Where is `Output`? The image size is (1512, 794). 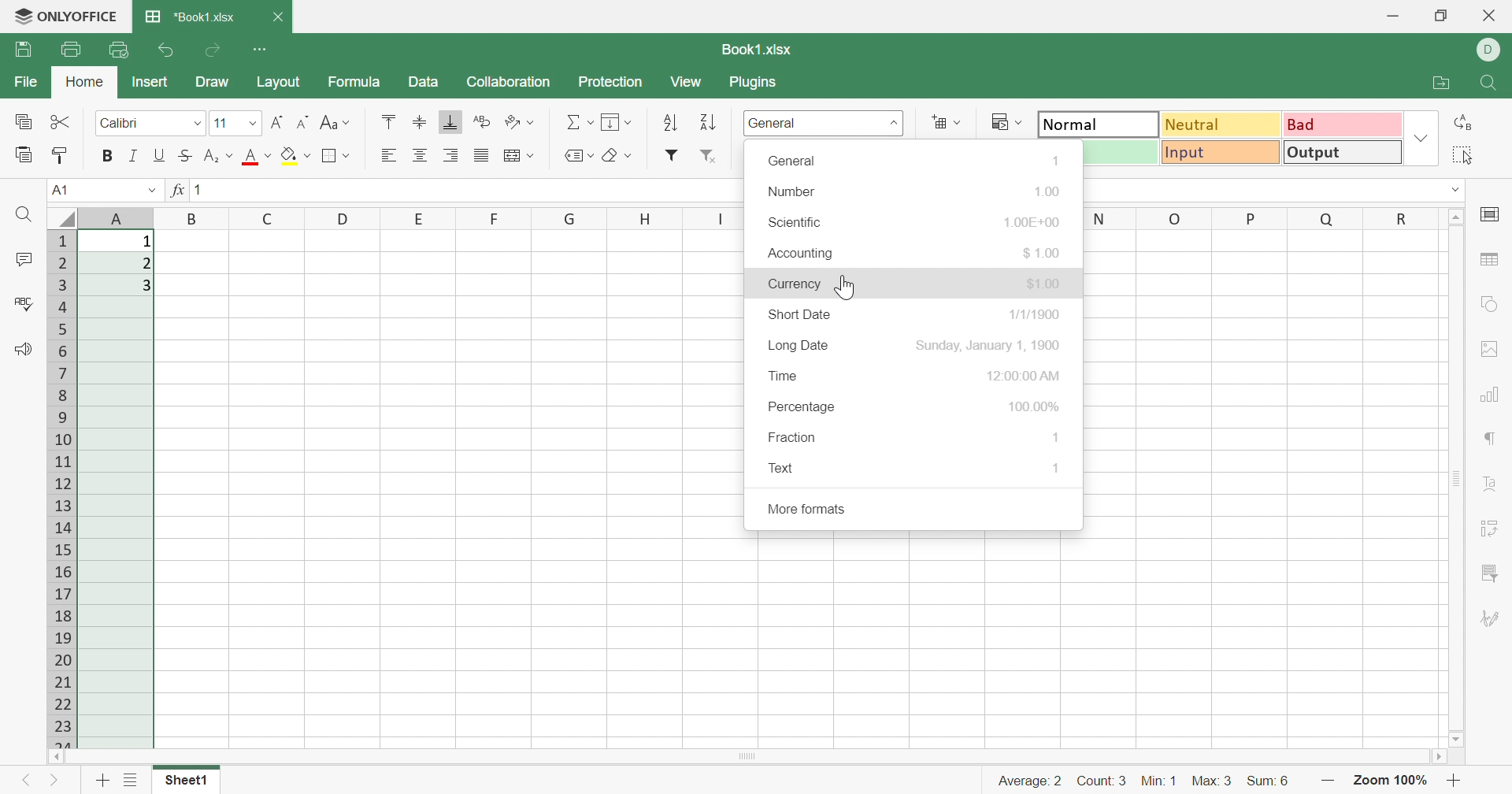 Output is located at coordinates (1343, 151).